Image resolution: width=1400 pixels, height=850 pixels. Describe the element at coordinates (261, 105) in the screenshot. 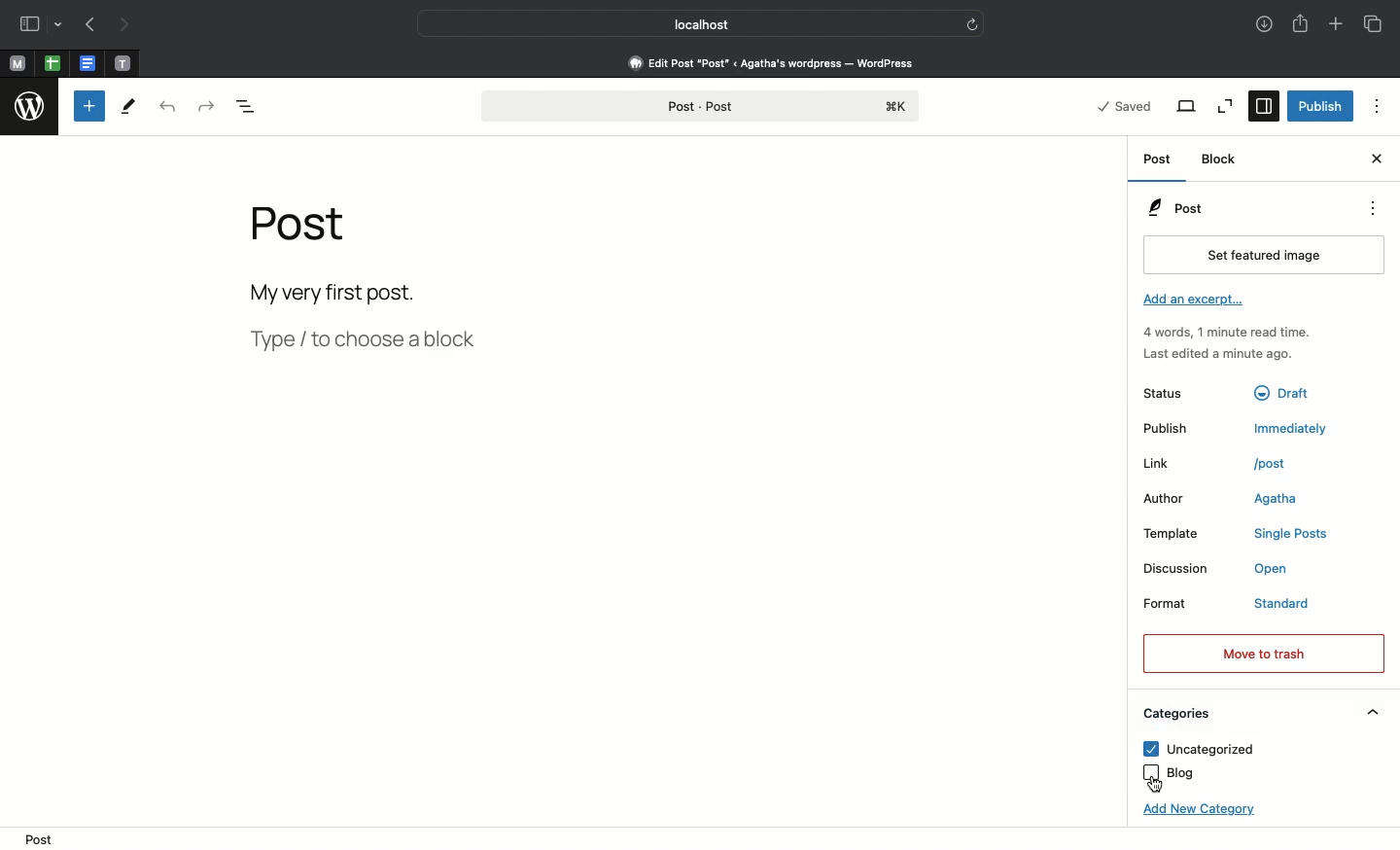

I see `Document overview` at that location.